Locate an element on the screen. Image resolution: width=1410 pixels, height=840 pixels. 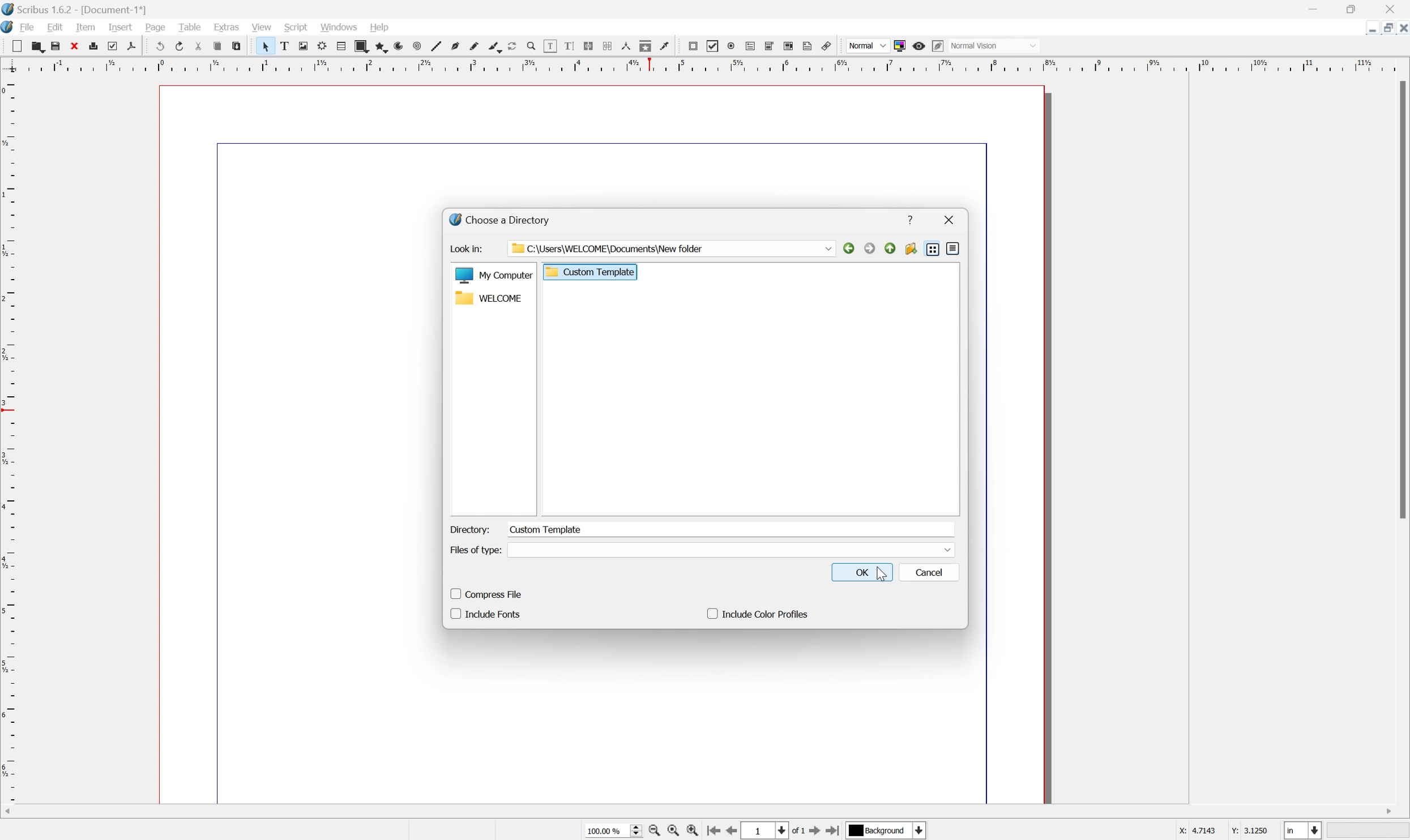
include color profiles is located at coordinates (757, 614).